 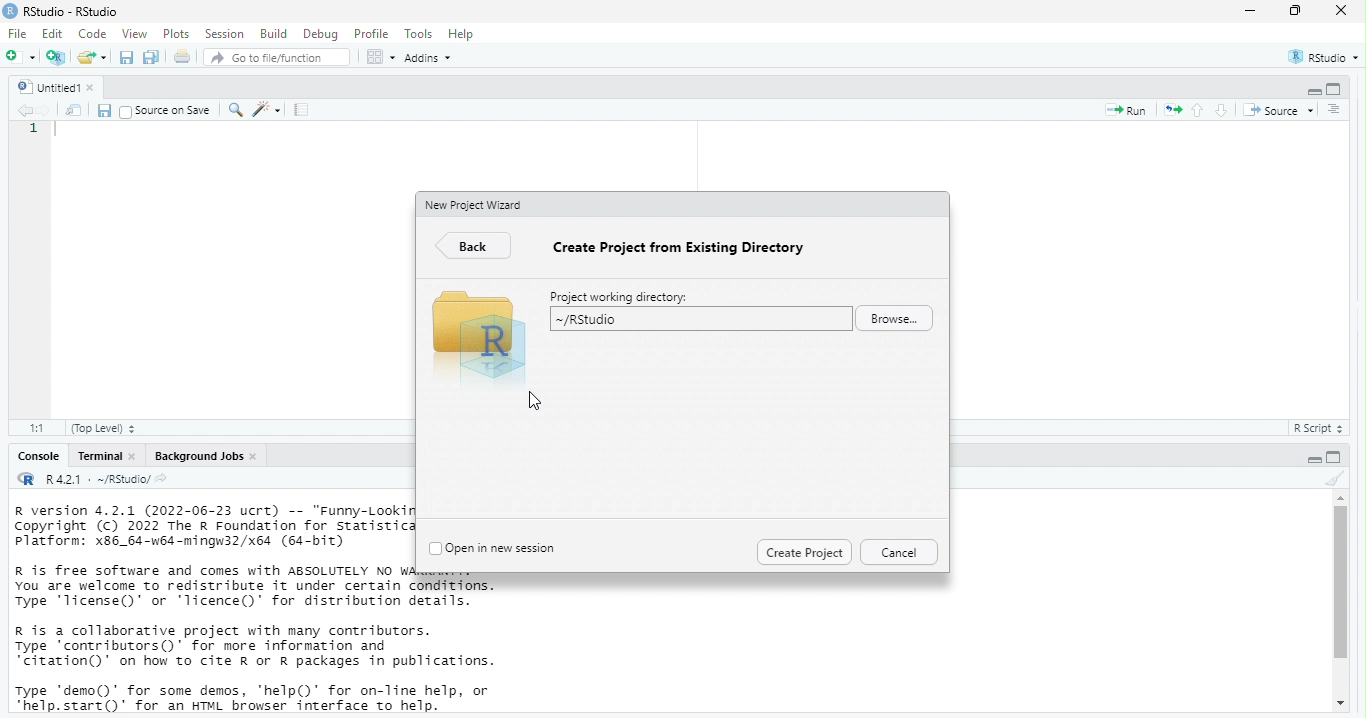 I want to click on plots, so click(x=177, y=33).